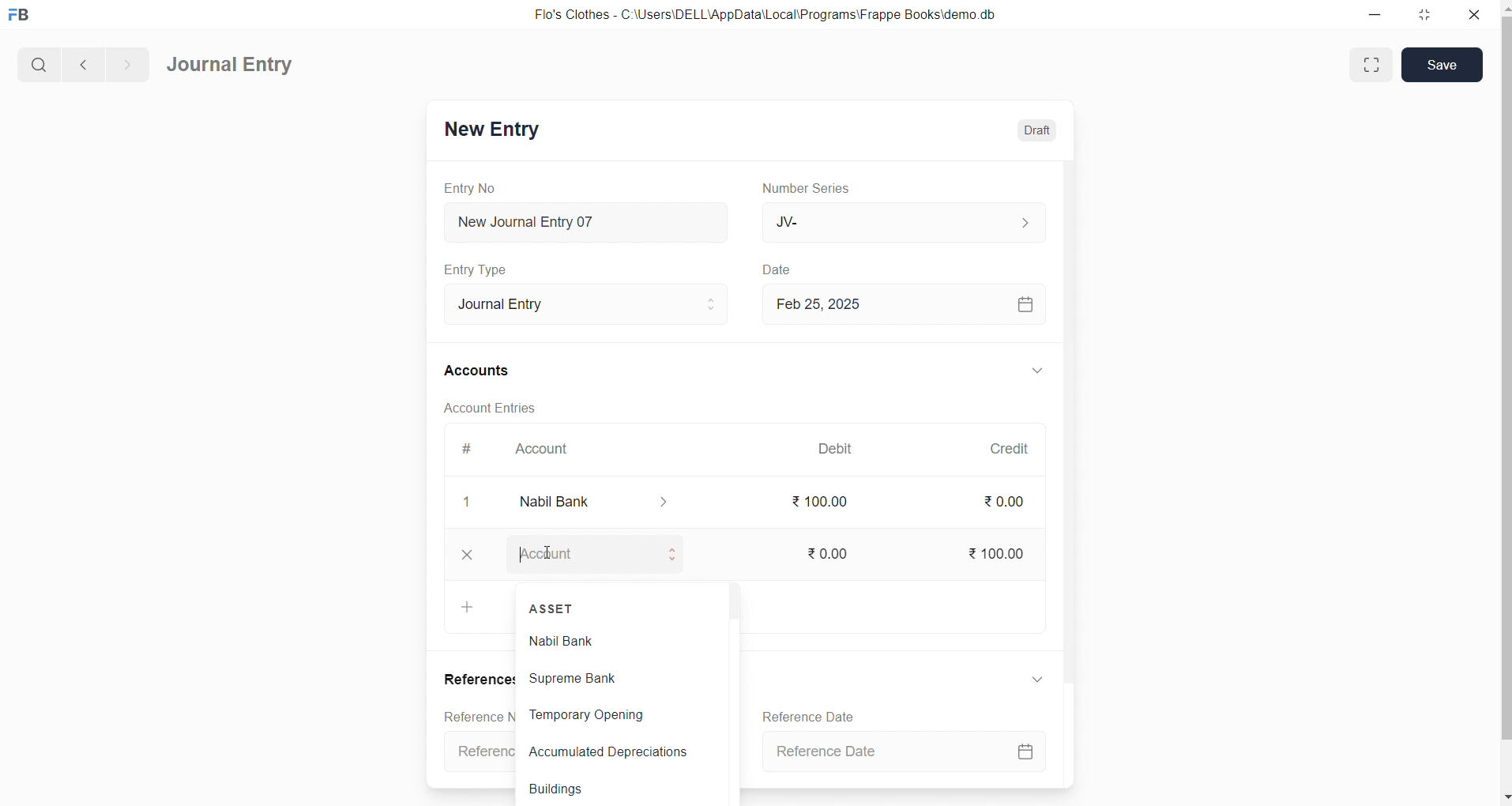 The image size is (1512, 806). What do you see at coordinates (1474, 16) in the screenshot?
I see `close` at bounding box center [1474, 16].